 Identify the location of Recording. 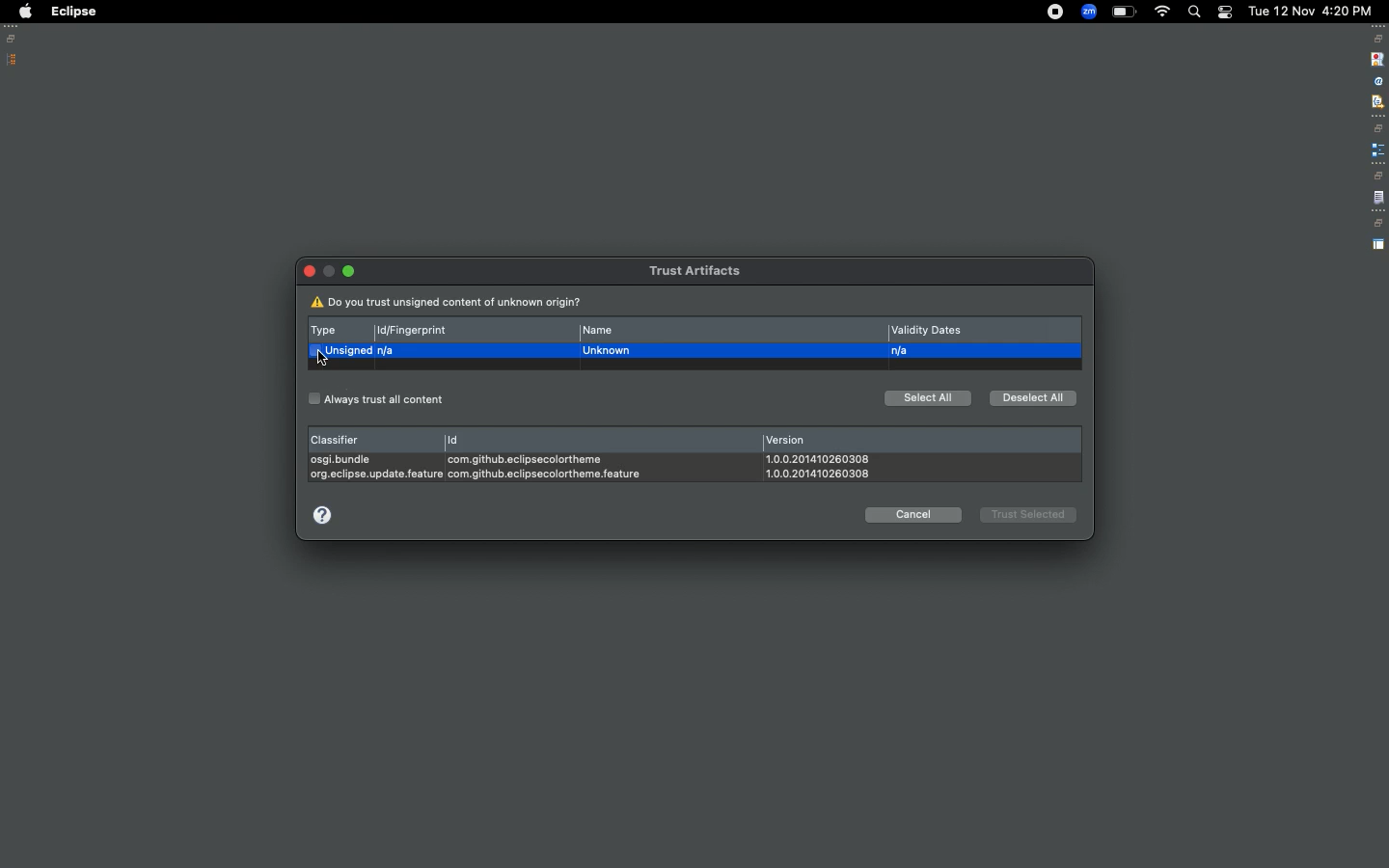
(1055, 14).